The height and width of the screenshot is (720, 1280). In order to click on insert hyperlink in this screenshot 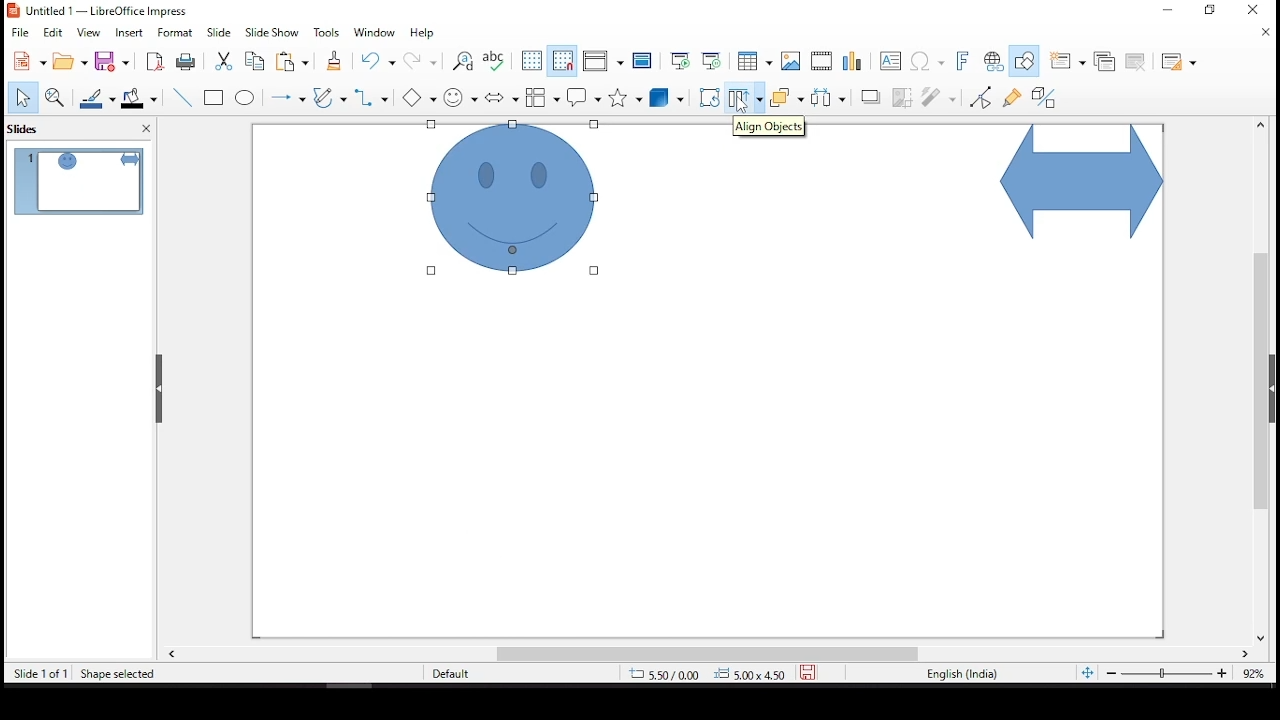, I will do `click(993, 62)`.